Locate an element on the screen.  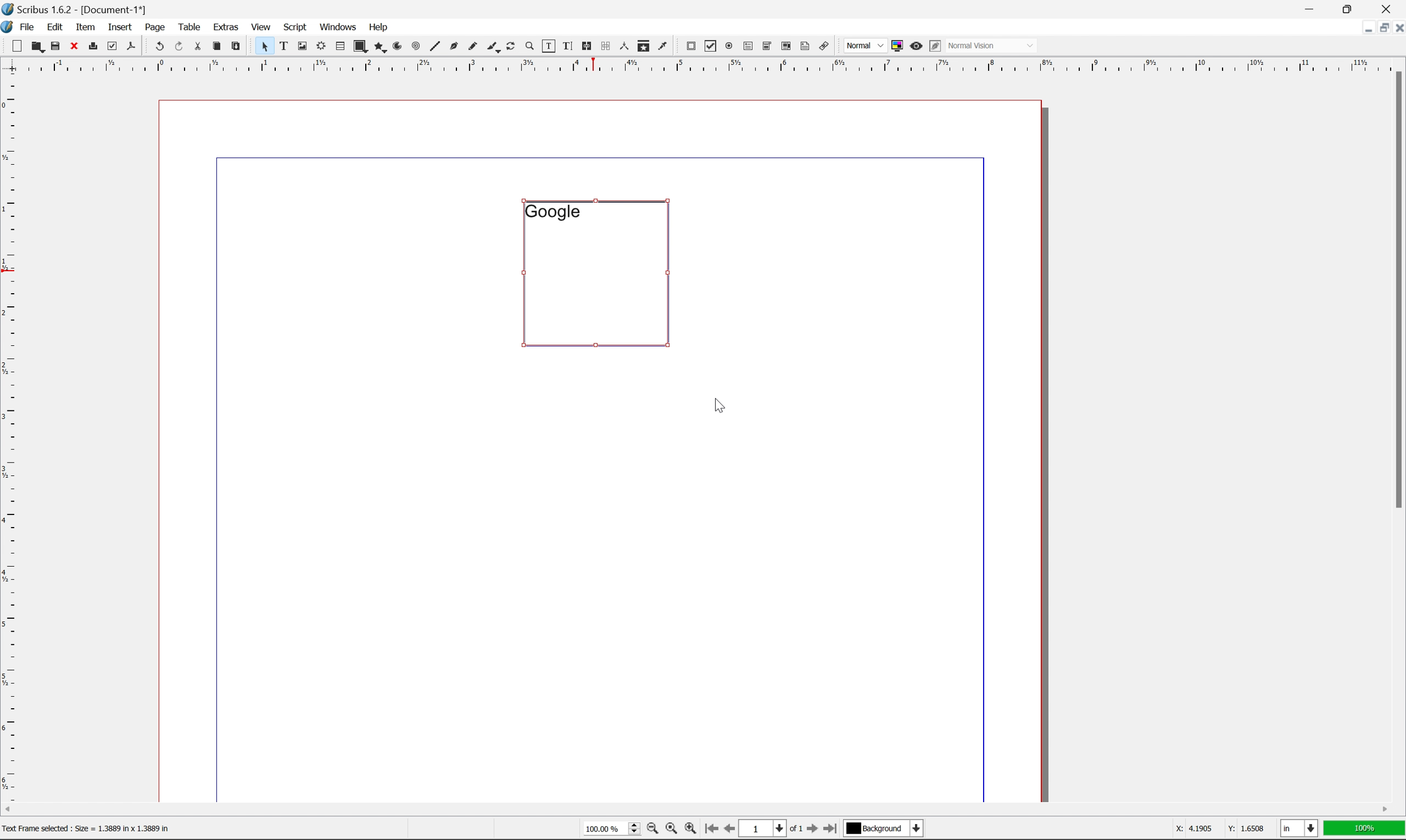
windows is located at coordinates (340, 26).